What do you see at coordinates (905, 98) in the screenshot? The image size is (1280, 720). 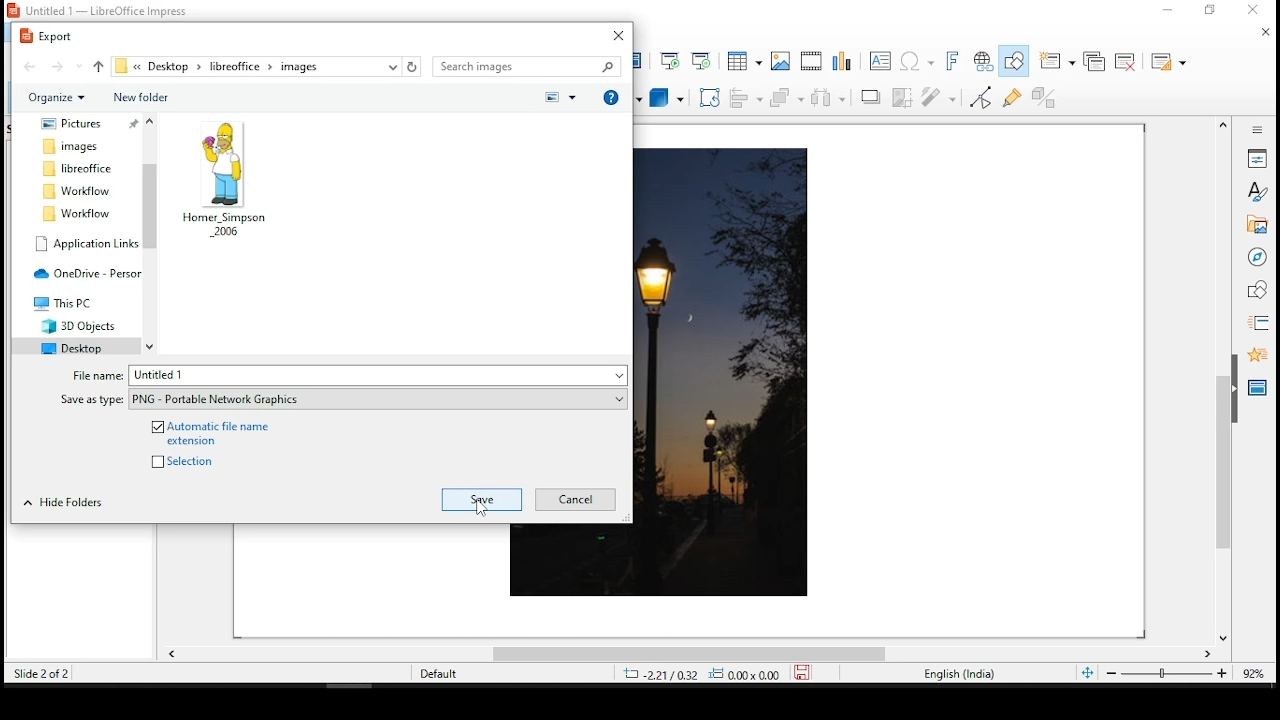 I see `crop image` at bounding box center [905, 98].